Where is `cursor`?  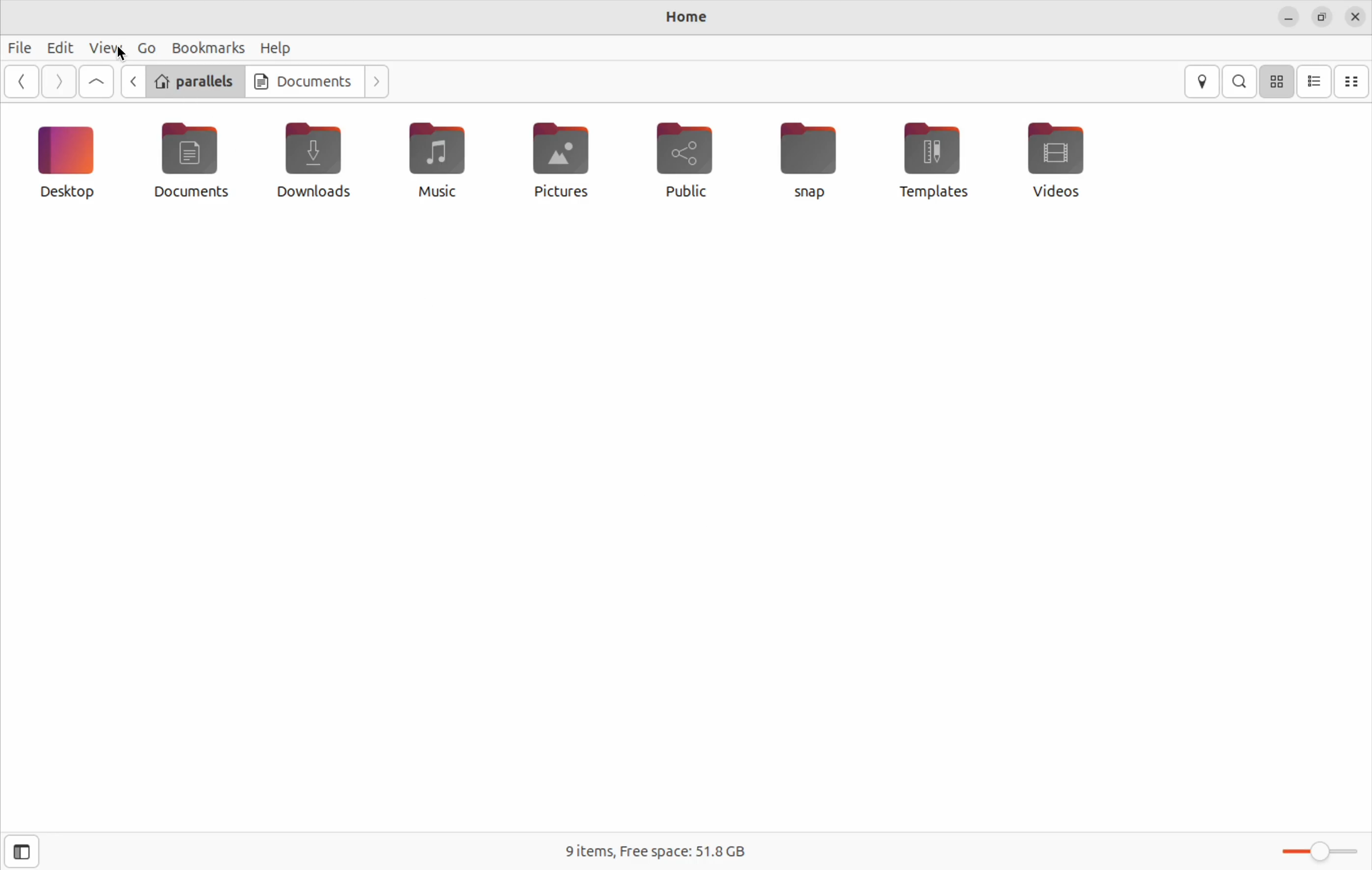 cursor is located at coordinates (118, 55).